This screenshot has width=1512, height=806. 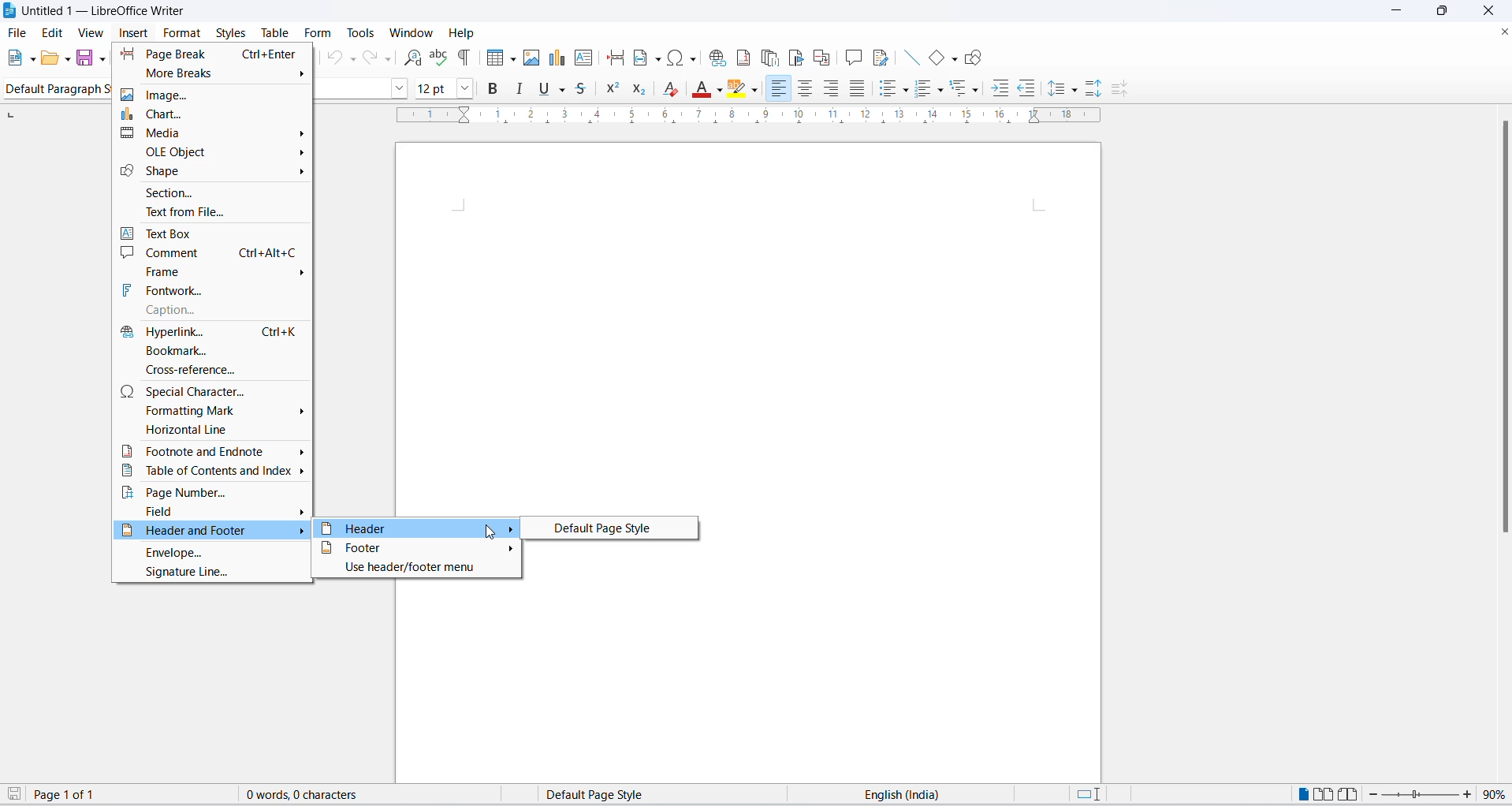 I want to click on strike through, so click(x=587, y=88).